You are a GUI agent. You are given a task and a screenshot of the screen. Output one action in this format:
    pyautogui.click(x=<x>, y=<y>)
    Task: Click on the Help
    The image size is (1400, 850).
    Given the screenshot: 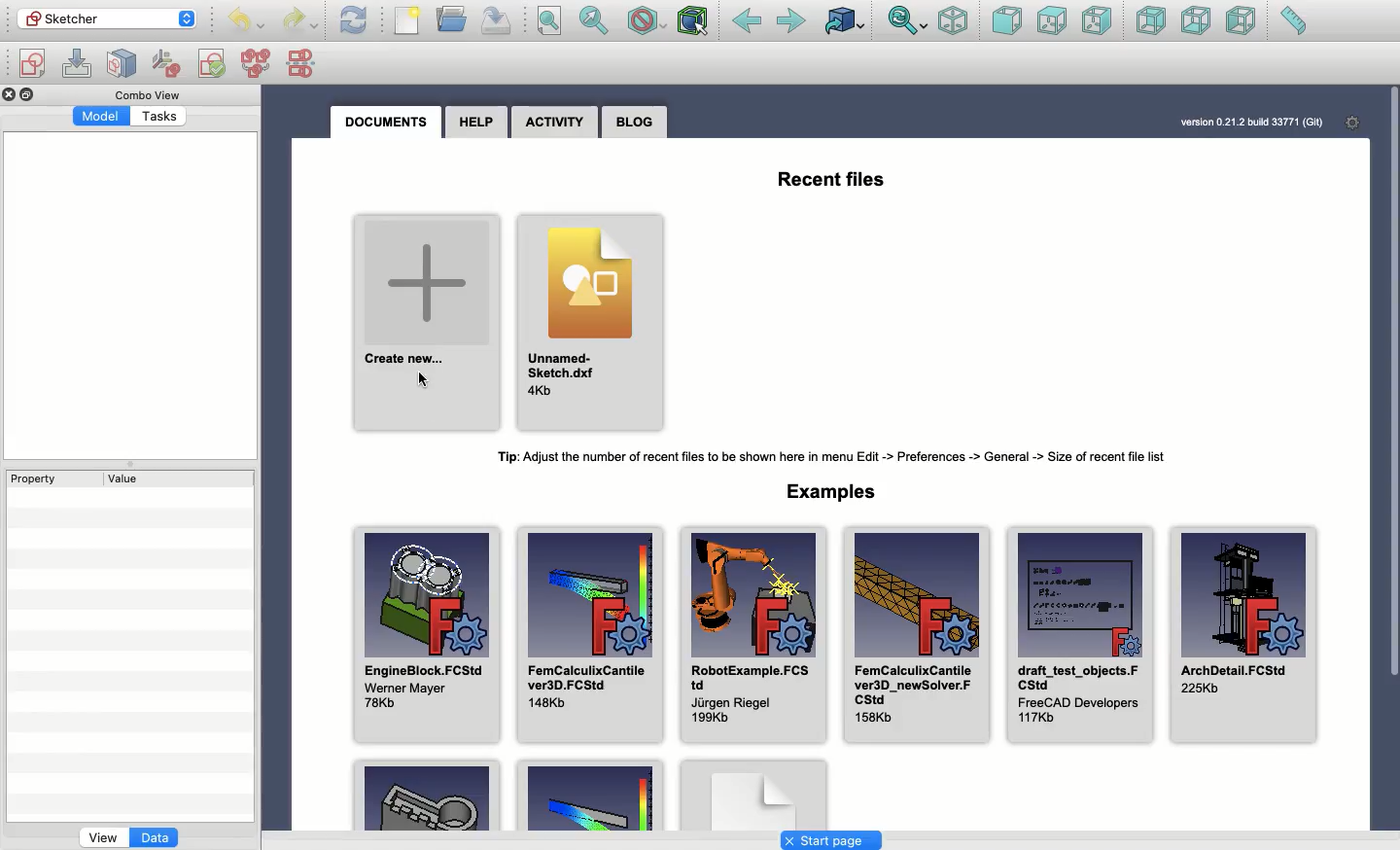 What is the action you would take?
    pyautogui.click(x=475, y=122)
    